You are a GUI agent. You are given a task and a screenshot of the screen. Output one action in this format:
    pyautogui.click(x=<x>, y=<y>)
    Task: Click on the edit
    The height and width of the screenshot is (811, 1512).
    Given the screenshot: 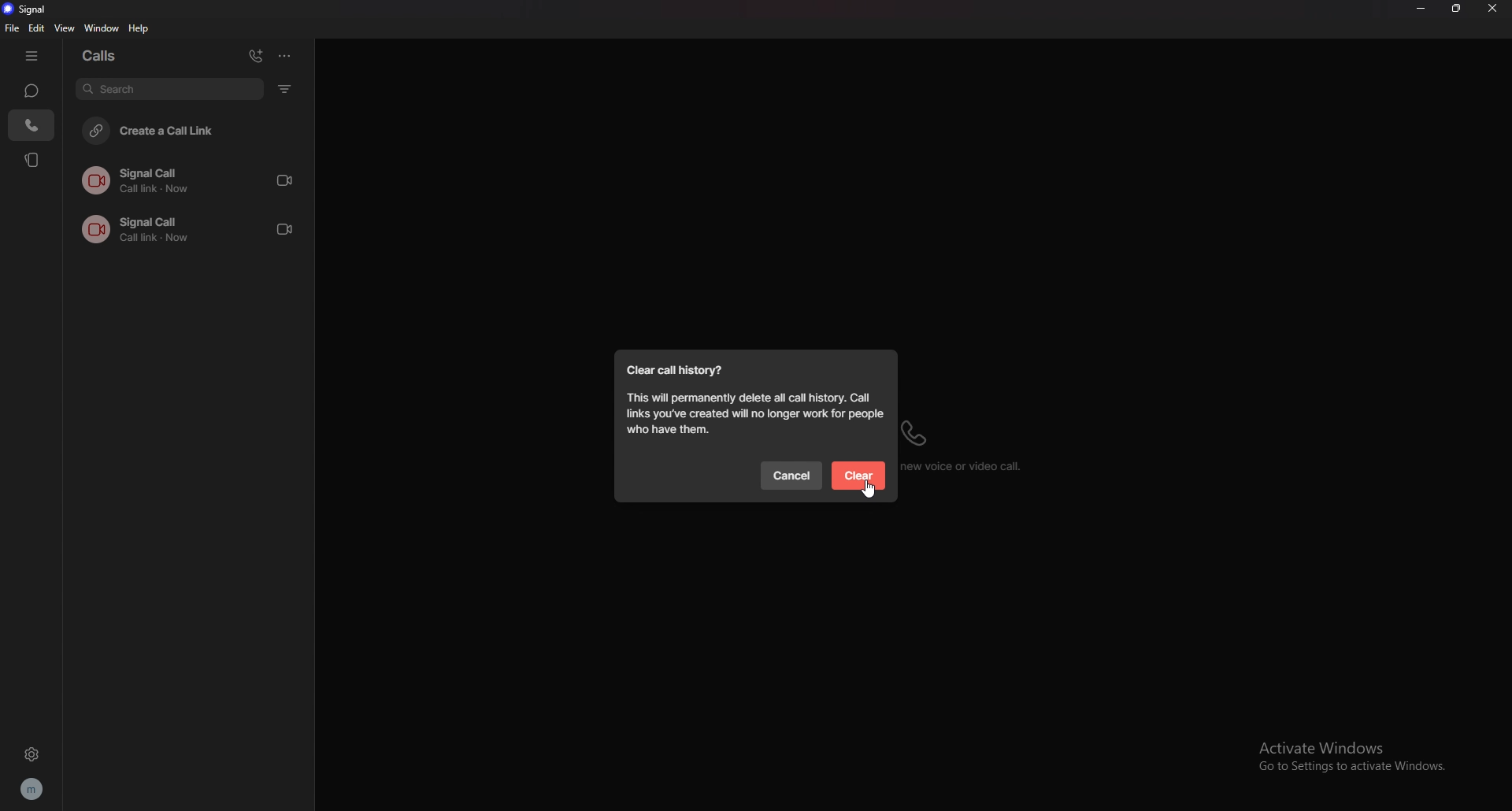 What is the action you would take?
    pyautogui.click(x=38, y=28)
    